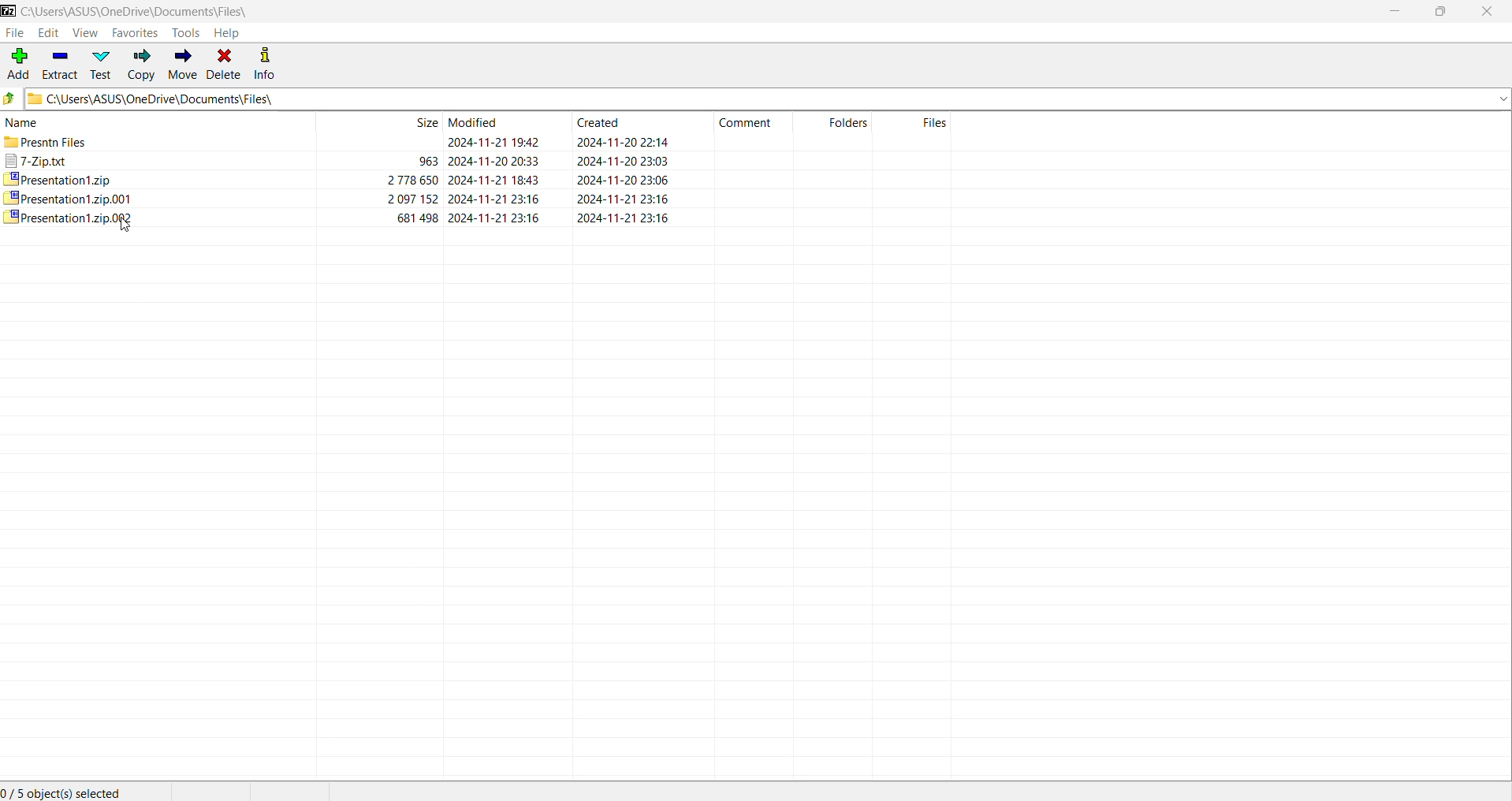 The image size is (1512, 801). Describe the element at coordinates (496, 198) in the screenshot. I see `2024-11-21 23:16` at that location.